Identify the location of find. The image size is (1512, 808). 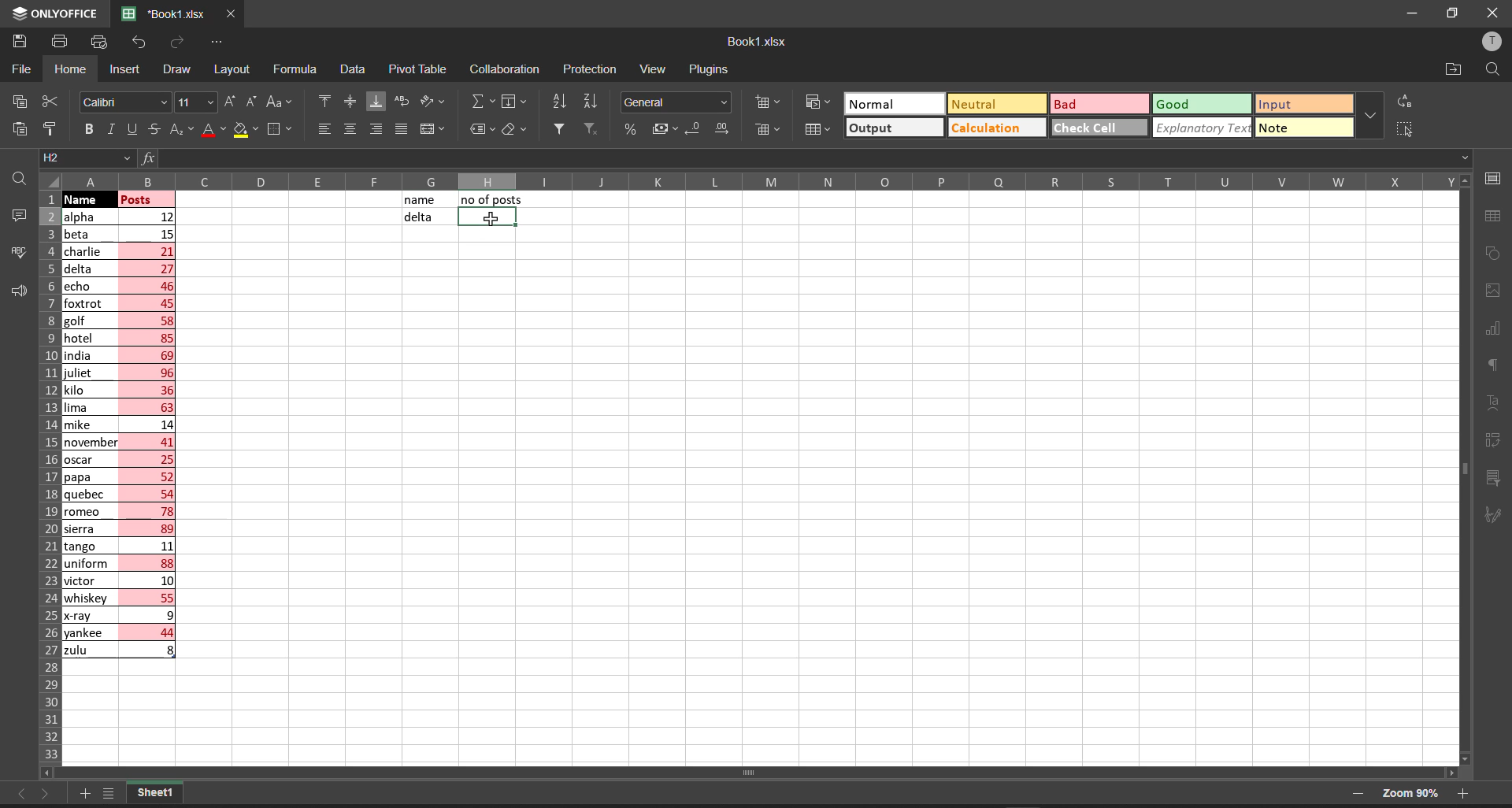
(1495, 69).